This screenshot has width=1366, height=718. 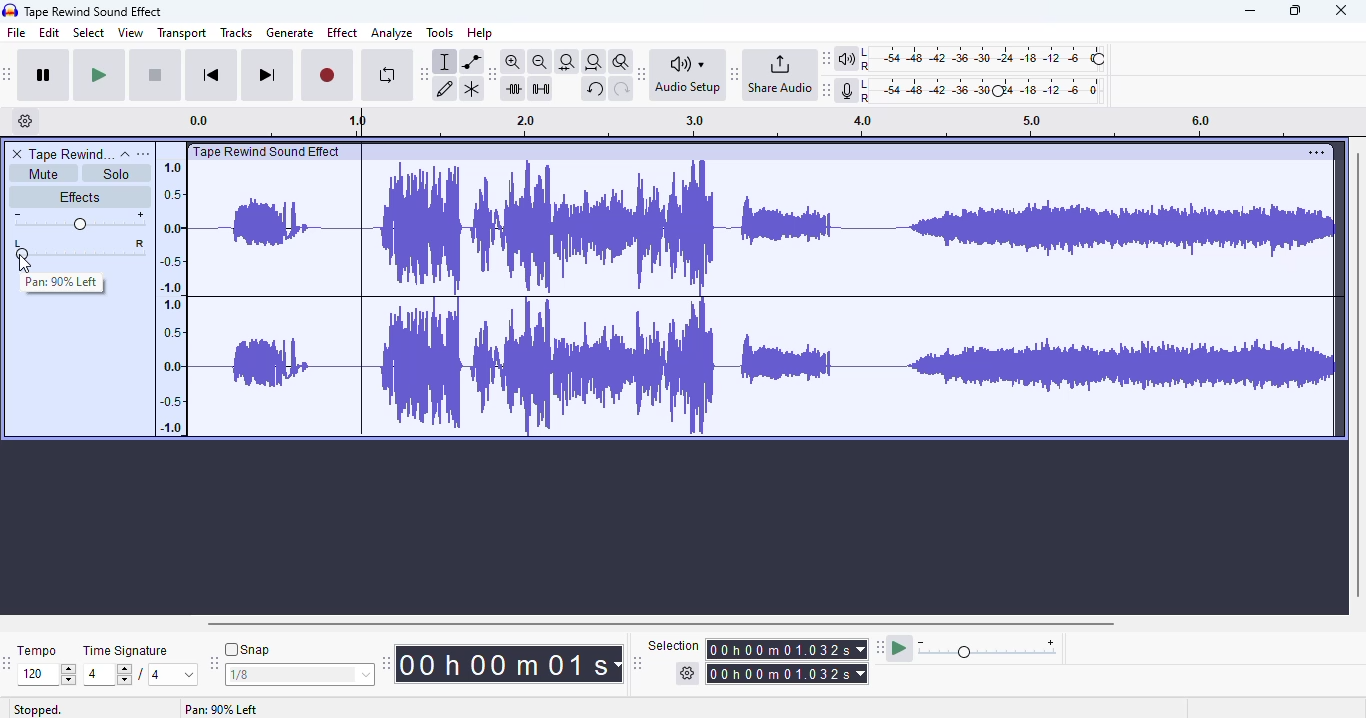 What do you see at coordinates (508, 665) in the screenshot?
I see `audacity time ` at bounding box center [508, 665].